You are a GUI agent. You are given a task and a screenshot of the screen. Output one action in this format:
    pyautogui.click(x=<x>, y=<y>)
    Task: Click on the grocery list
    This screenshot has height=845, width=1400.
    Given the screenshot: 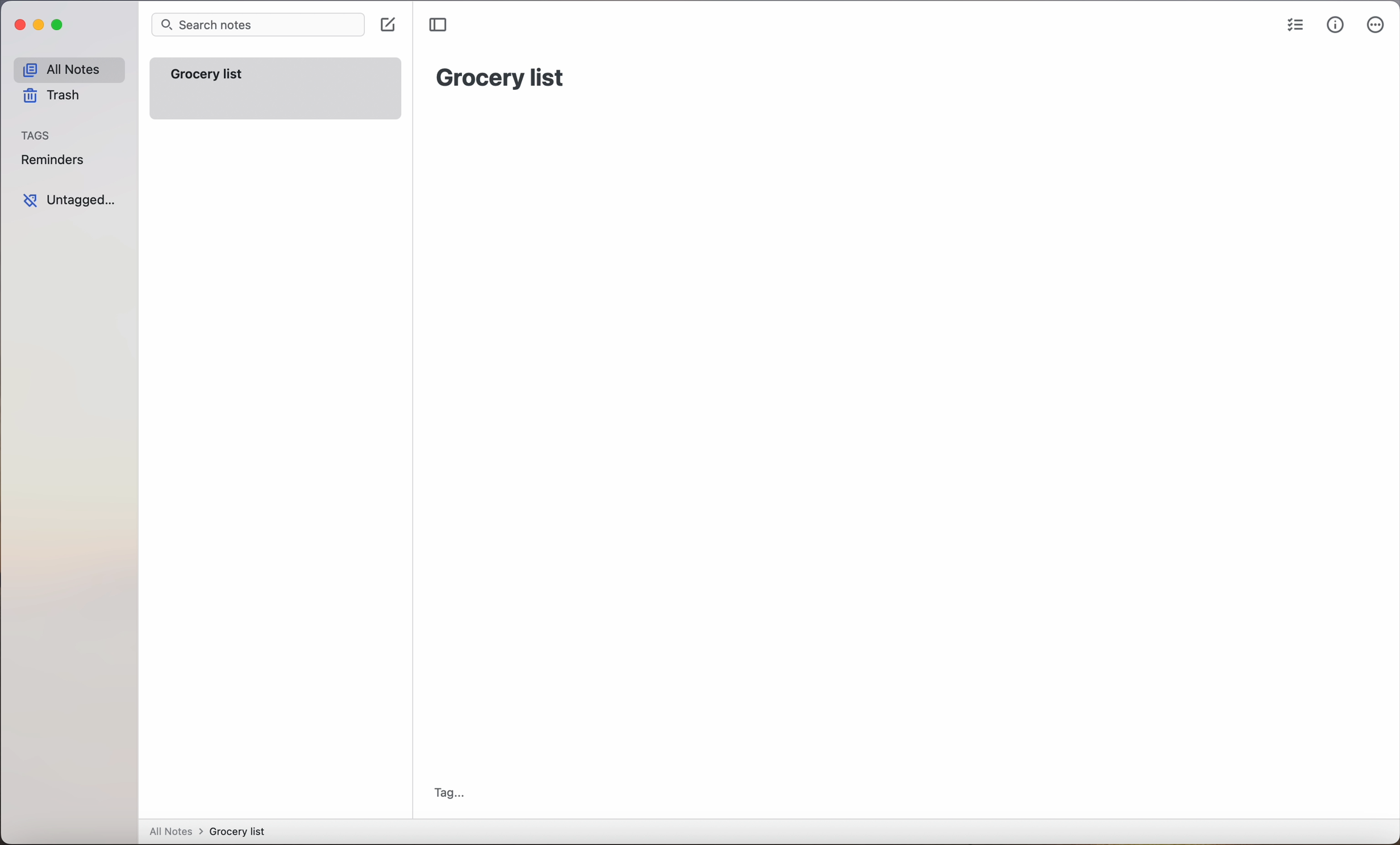 What is the action you would take?
    pyautogui.click(x=501, y=76)
    